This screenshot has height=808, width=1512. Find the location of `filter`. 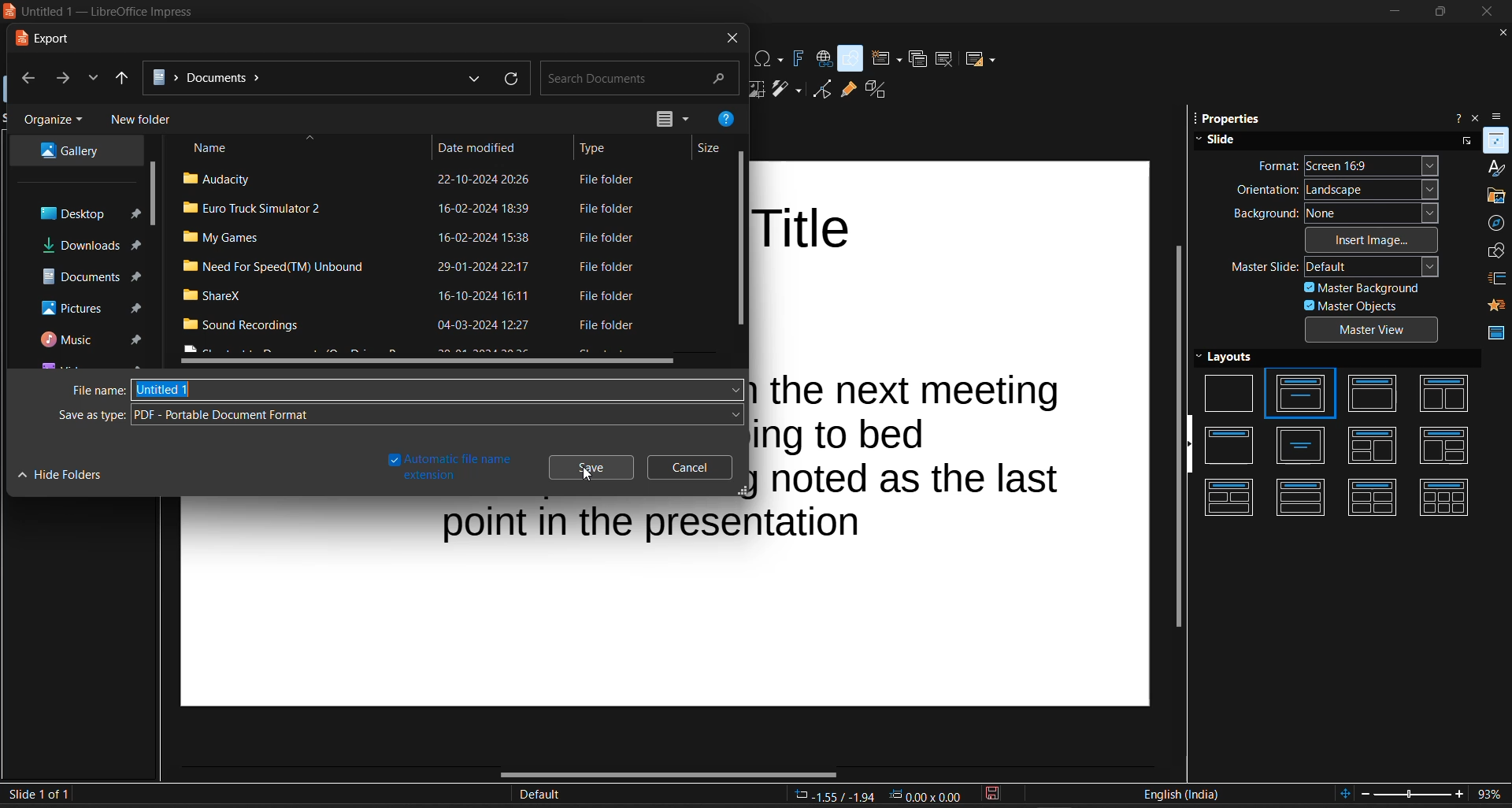

filter is located at coordinates (788, 91).